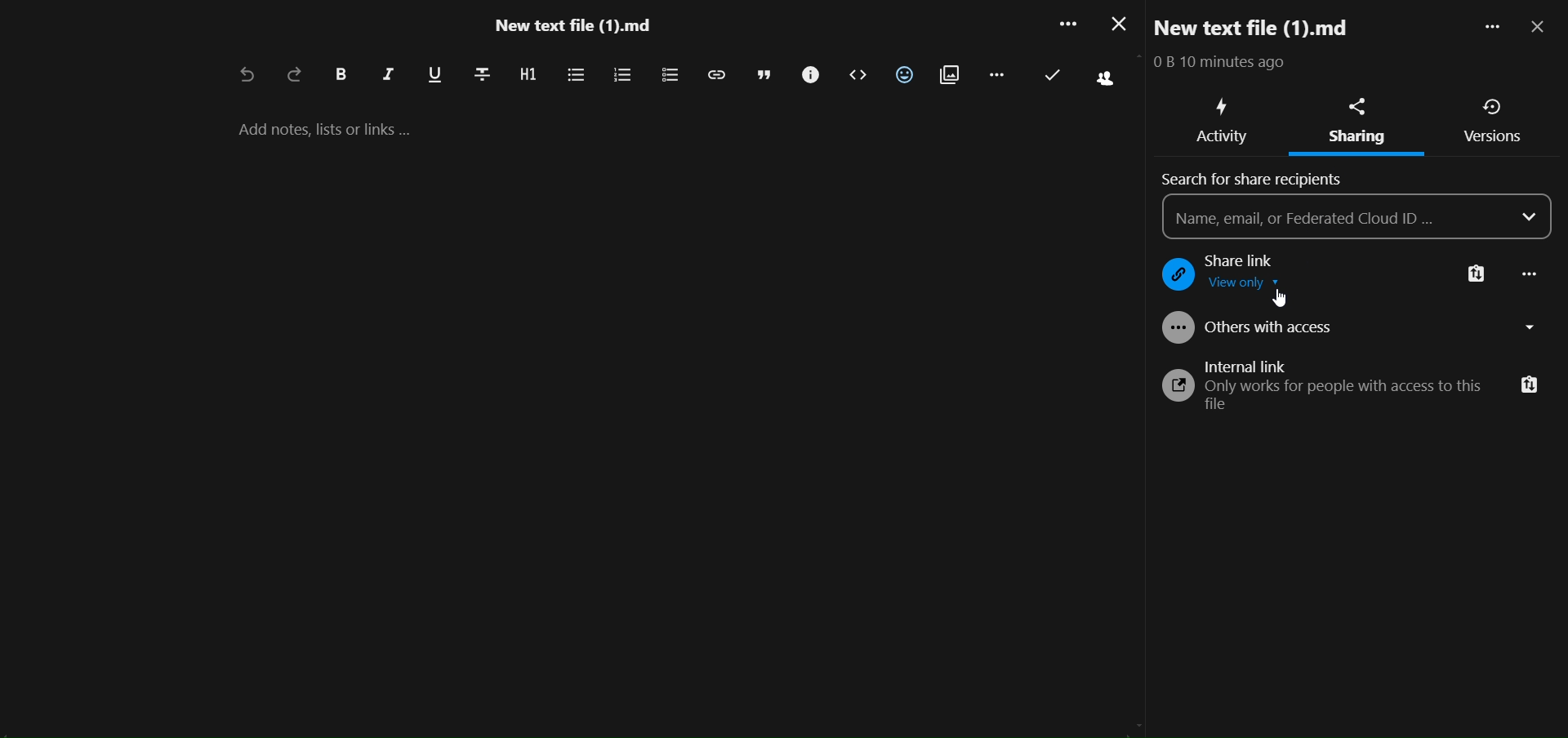  Describe the element at coordinates (1493, 140) in the screenshot. I see `version` at that location.